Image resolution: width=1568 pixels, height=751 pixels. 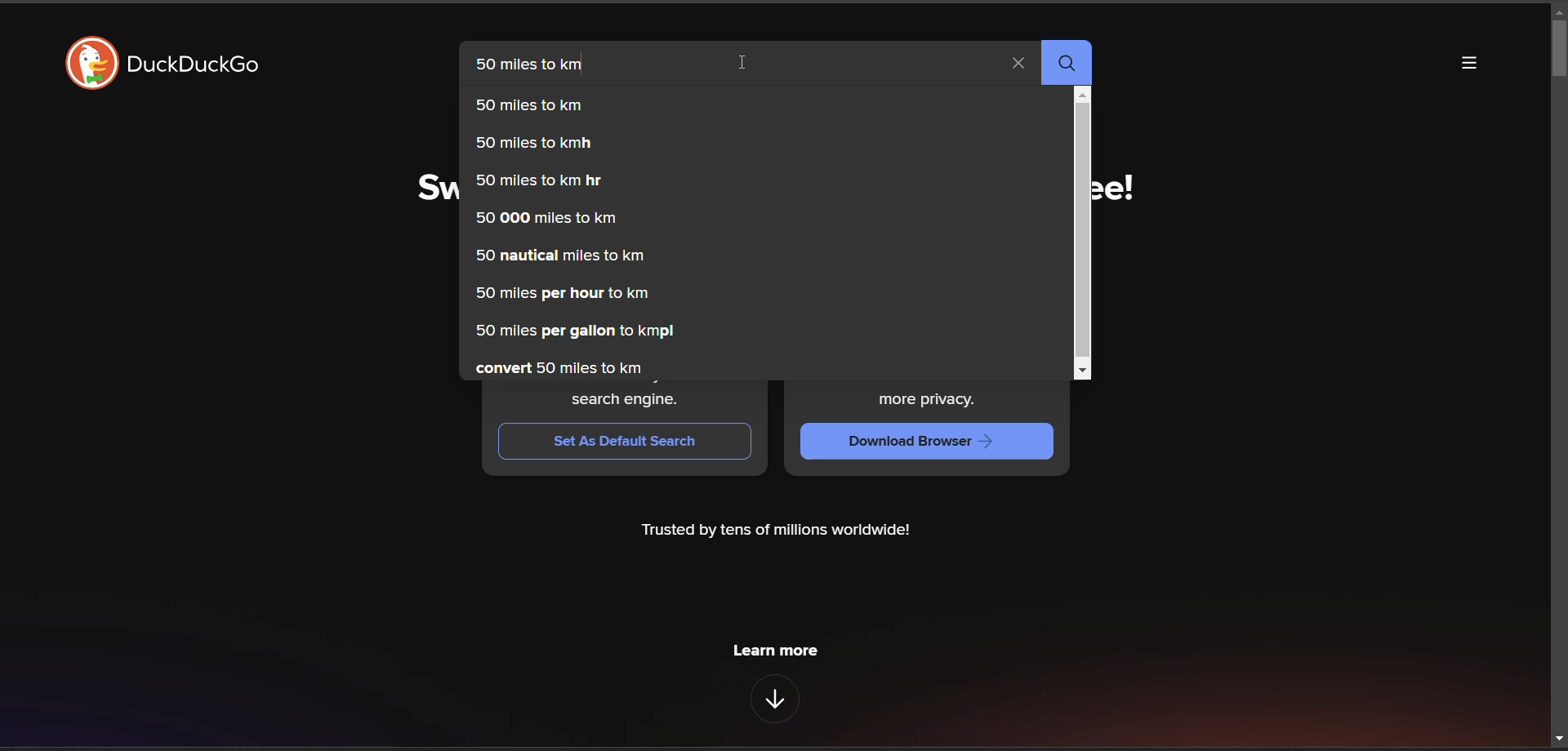 I want to click on cursor, so click(x=747, y=64).